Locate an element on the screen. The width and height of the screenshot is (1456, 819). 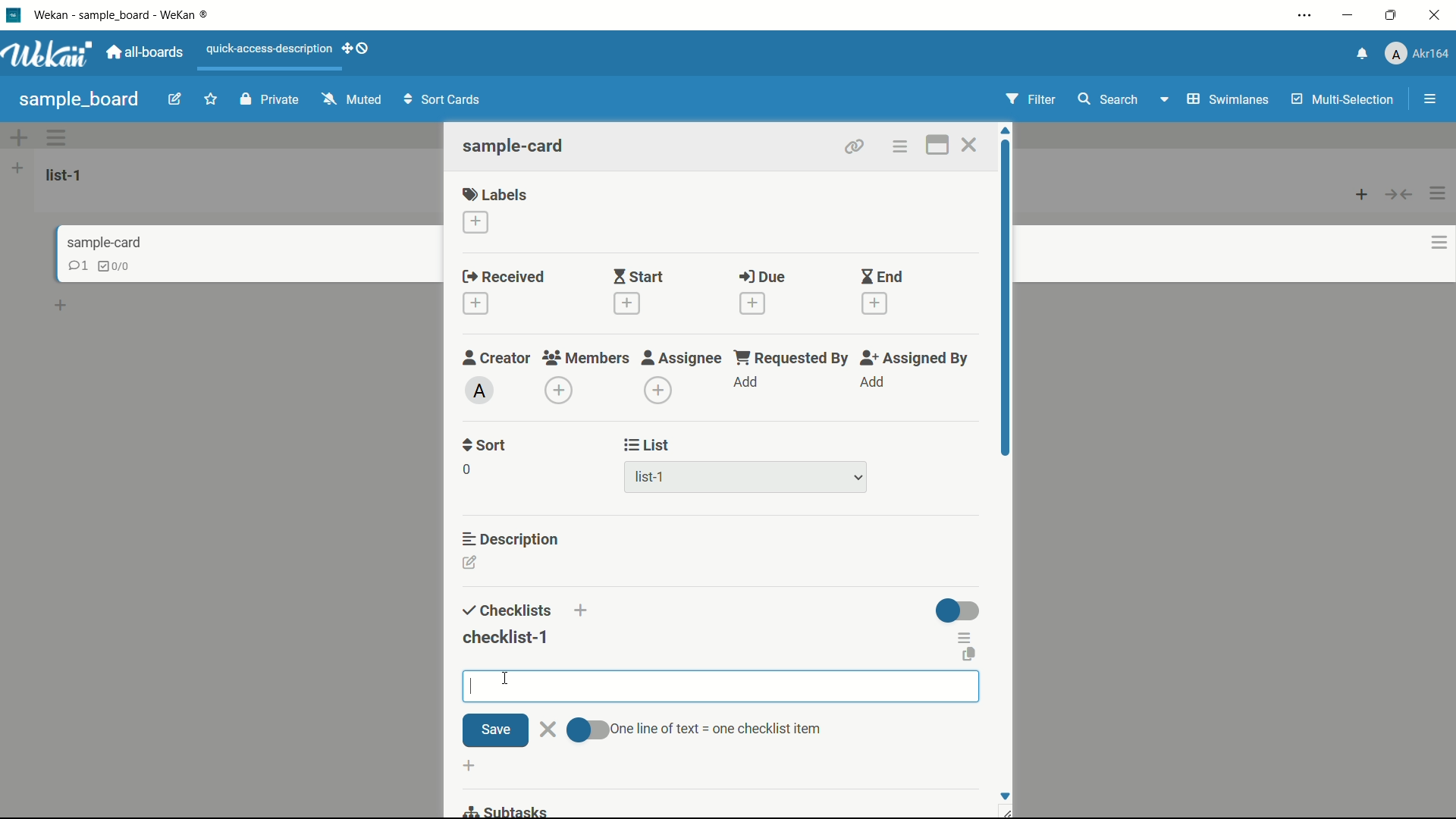
add date is located at coordinates (874, 303).